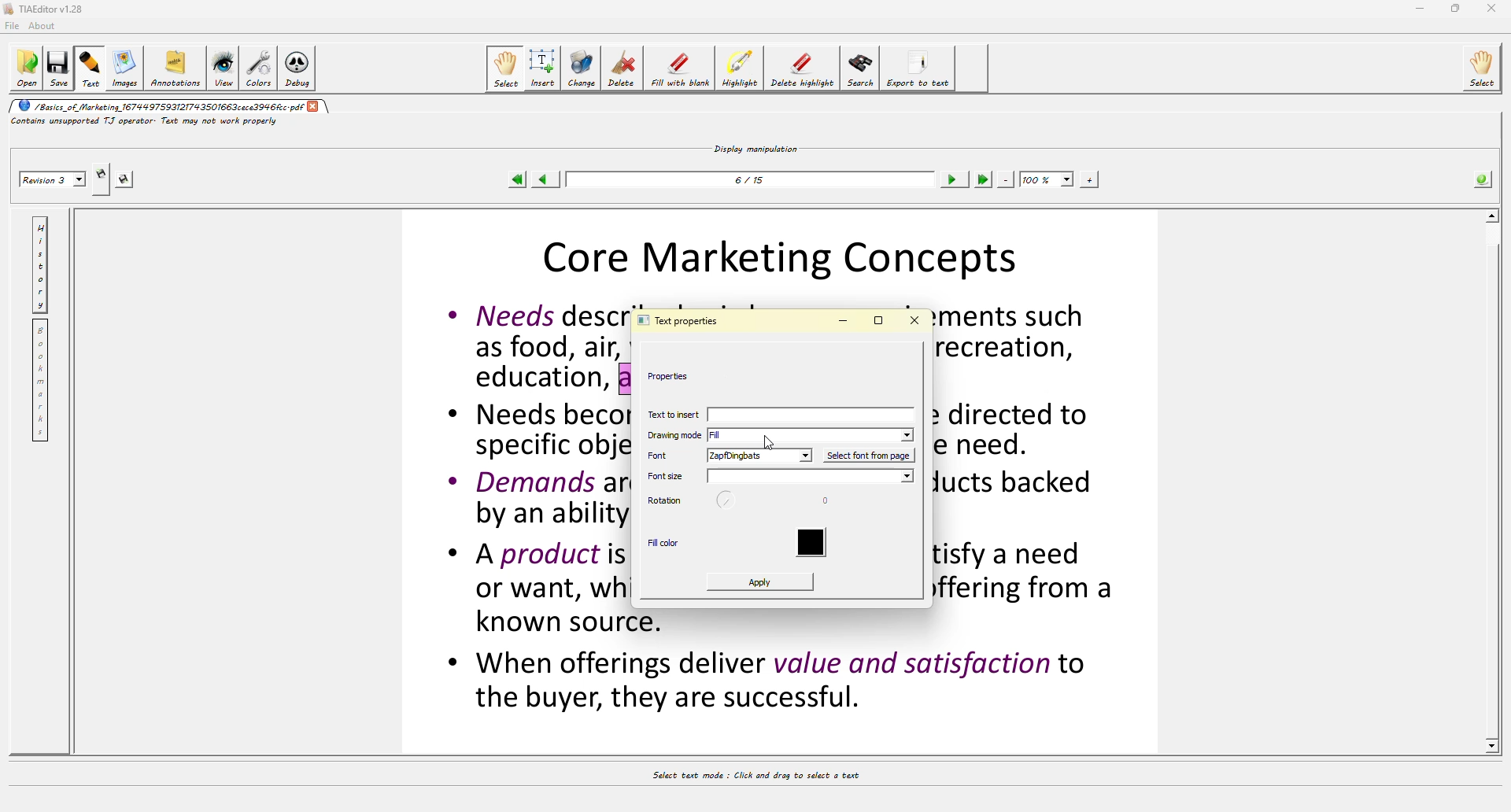 The height and width of the screenshot is (812, 1511). I want to click on text to insert, so click(783, 415).